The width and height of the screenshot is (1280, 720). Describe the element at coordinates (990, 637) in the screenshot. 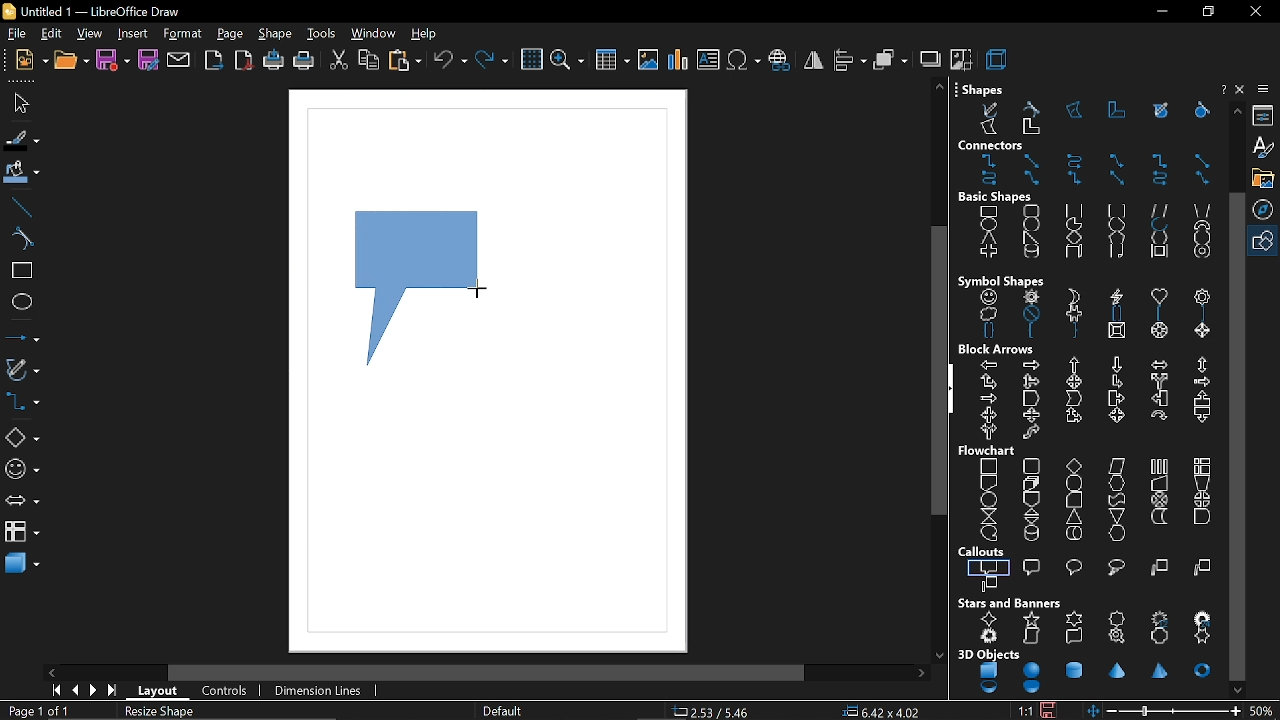

I see `explosion` at that location.